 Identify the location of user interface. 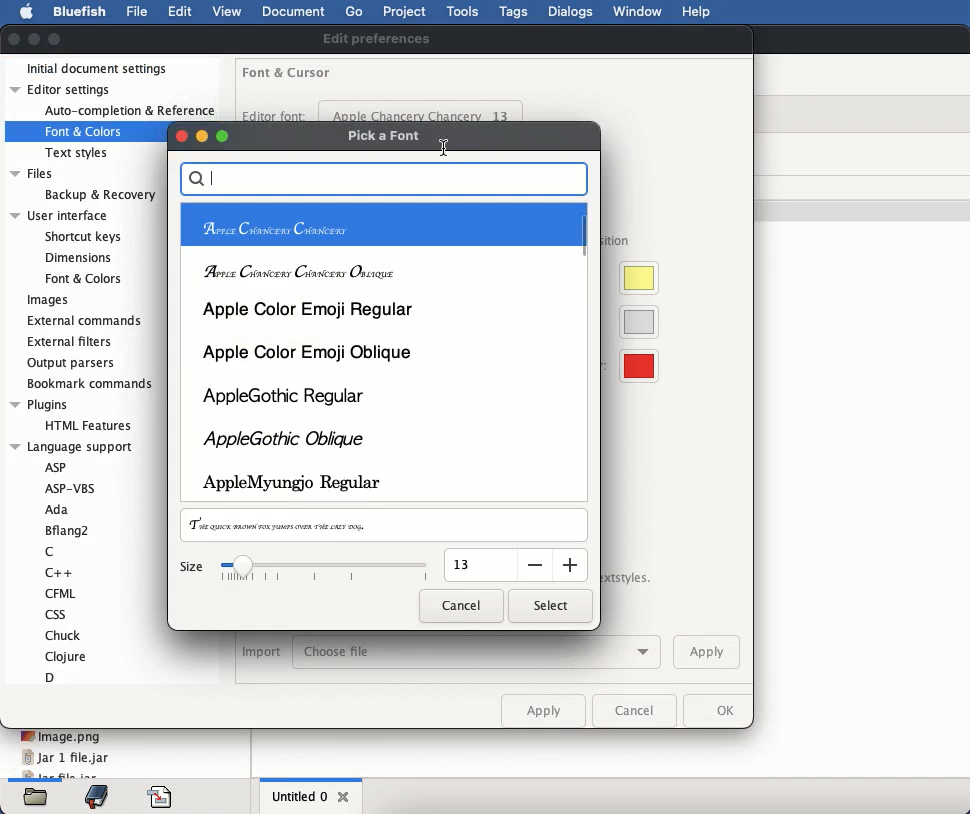
(69, 248).